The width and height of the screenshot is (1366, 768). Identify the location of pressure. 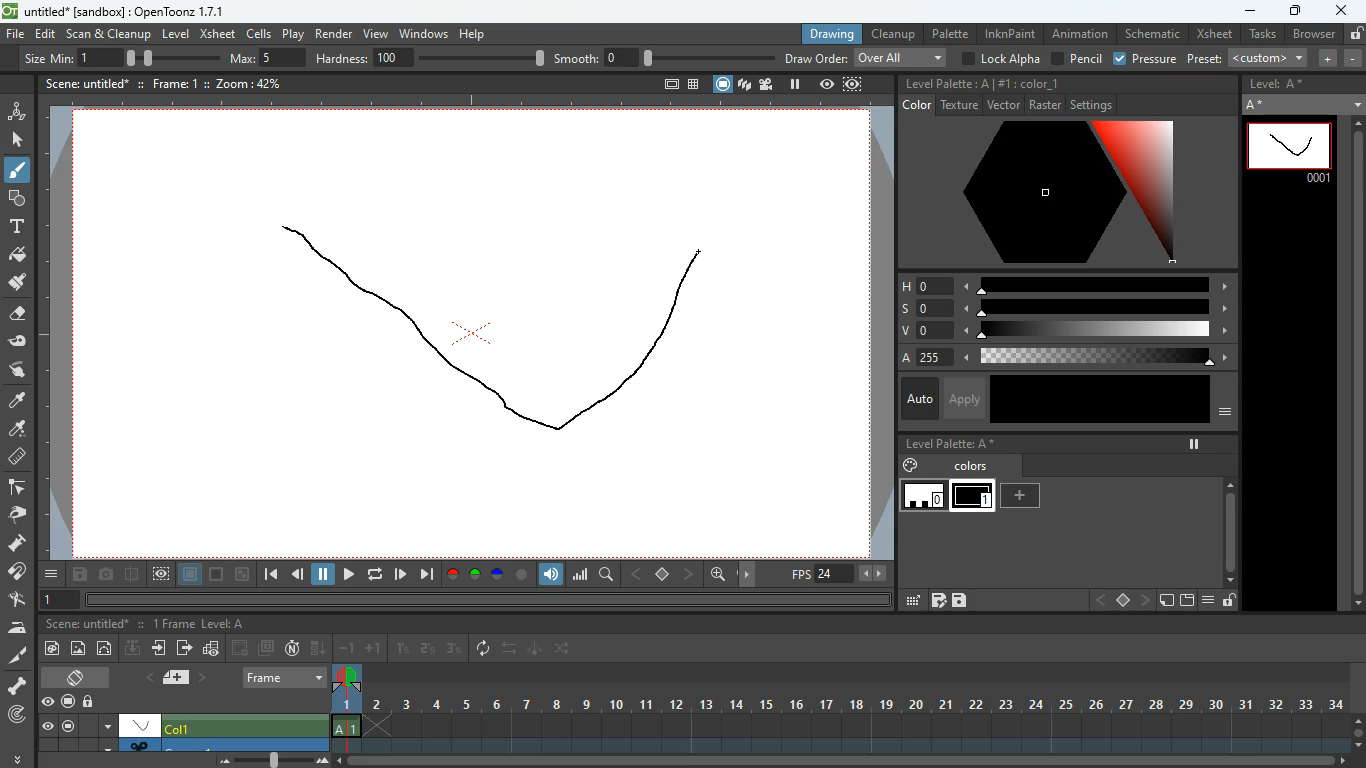
(1147, 60).